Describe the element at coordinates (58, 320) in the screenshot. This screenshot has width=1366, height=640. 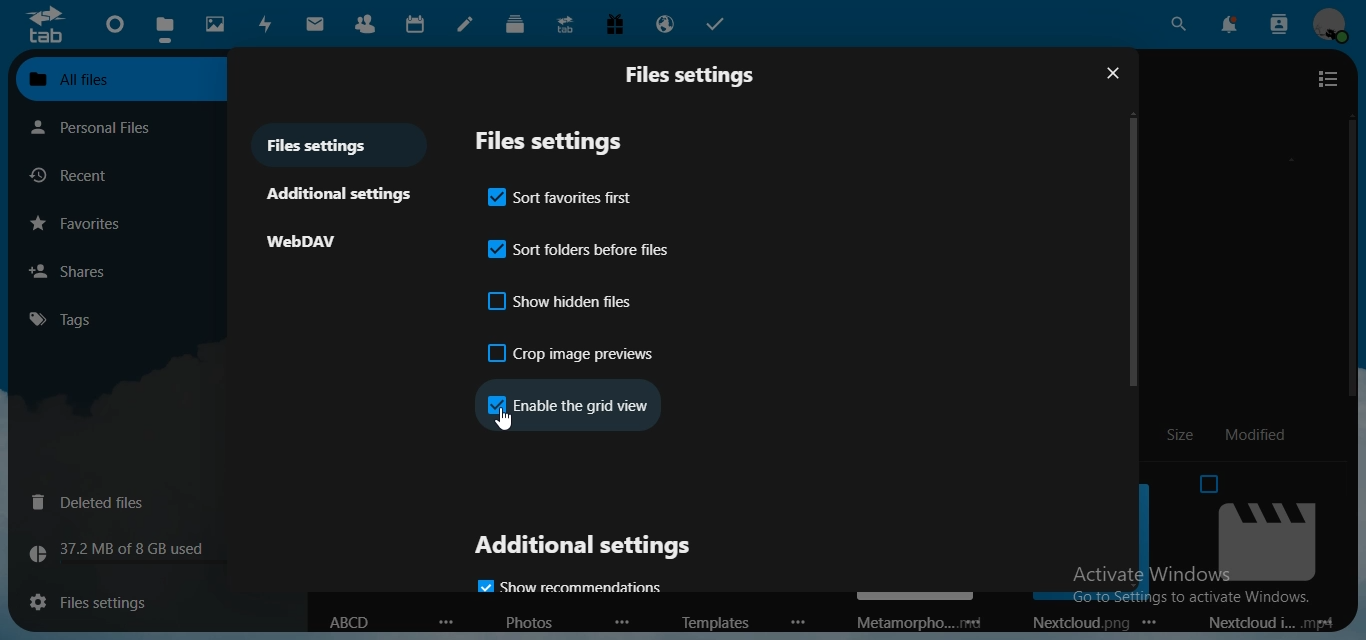
I see `tags` at that location.